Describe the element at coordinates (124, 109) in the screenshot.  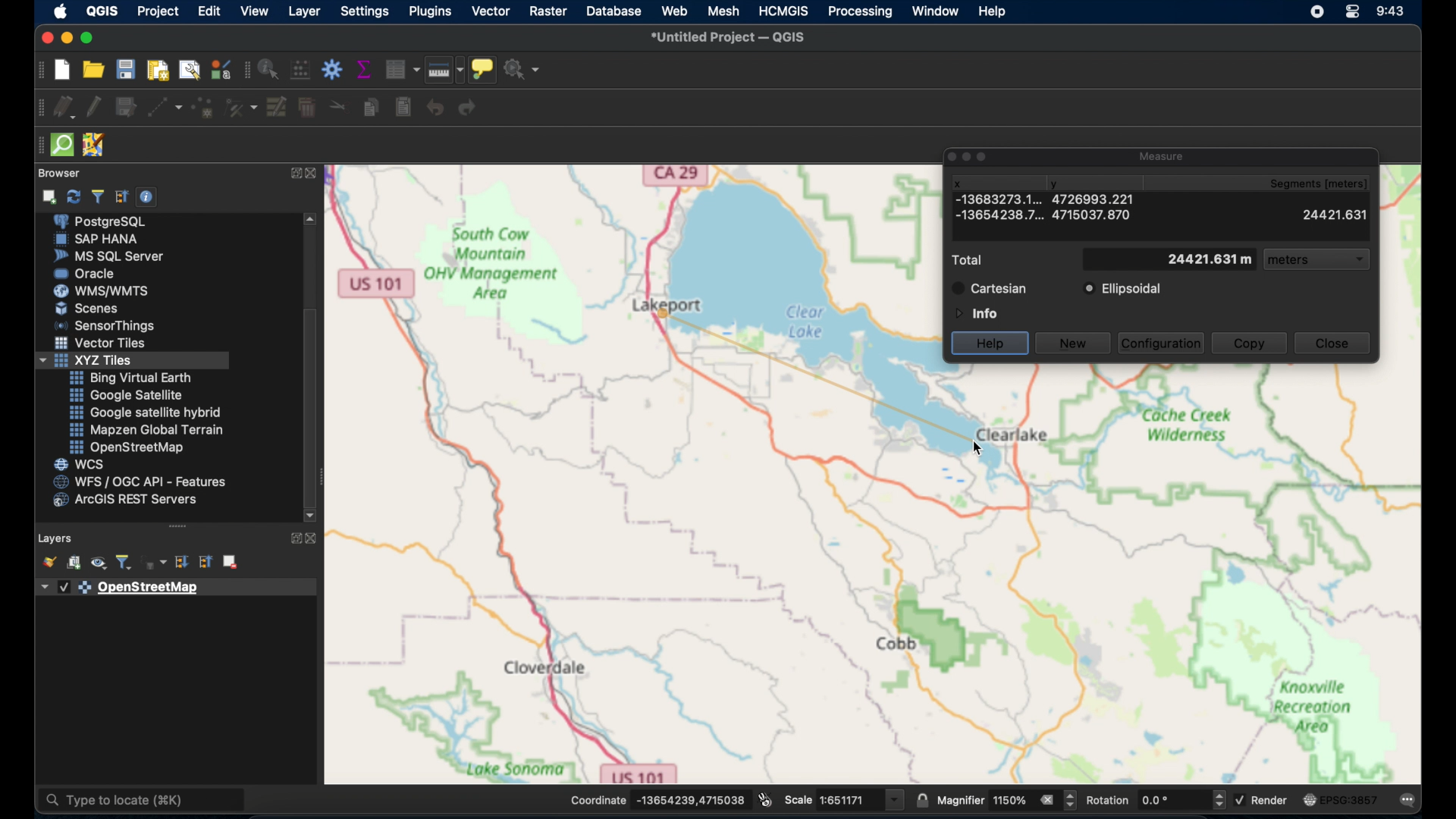
I see `save layer e dits` at that location.